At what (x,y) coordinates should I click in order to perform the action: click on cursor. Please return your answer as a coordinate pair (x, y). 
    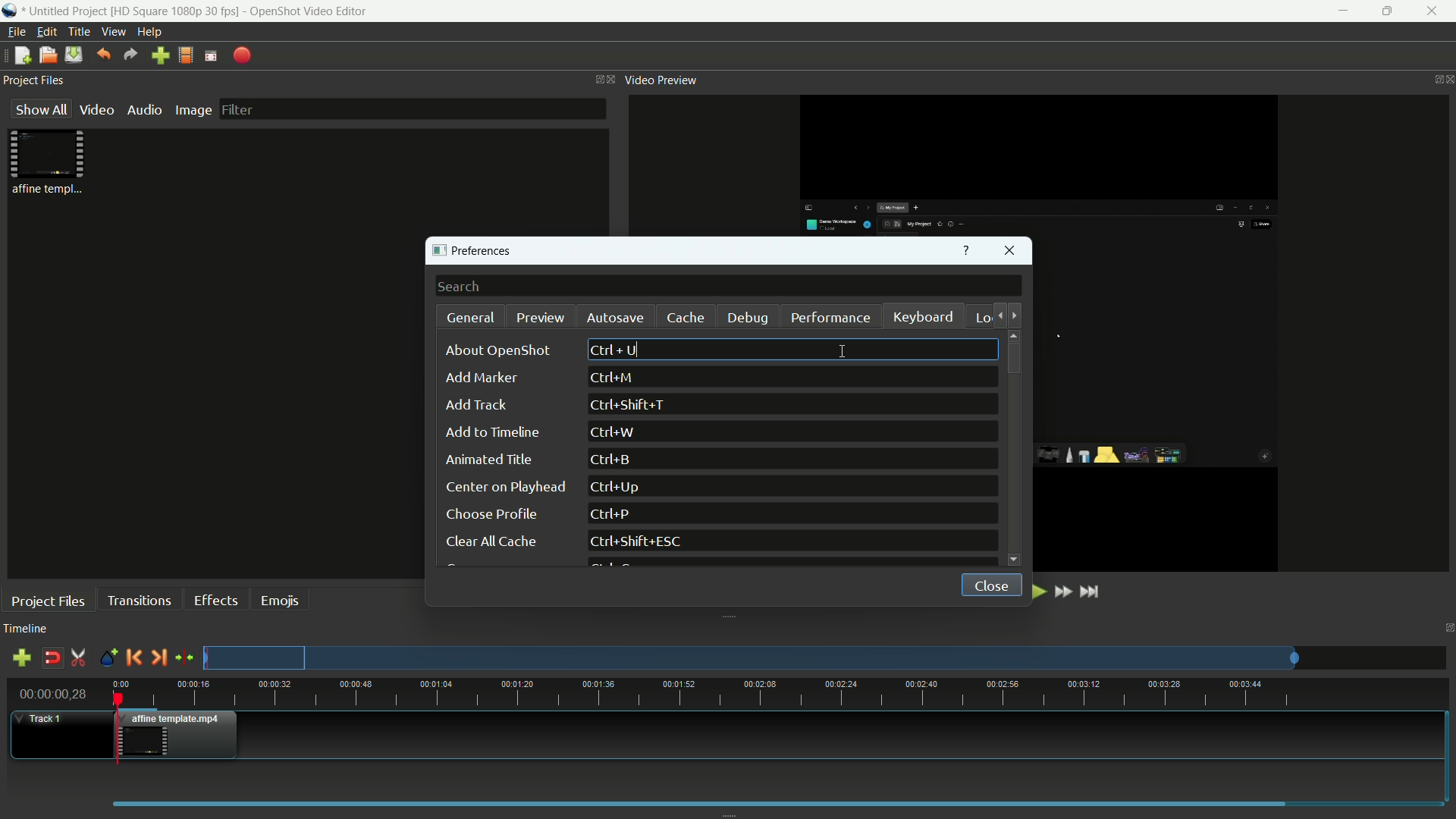
    Looking at the image, I should click on (836, 348).